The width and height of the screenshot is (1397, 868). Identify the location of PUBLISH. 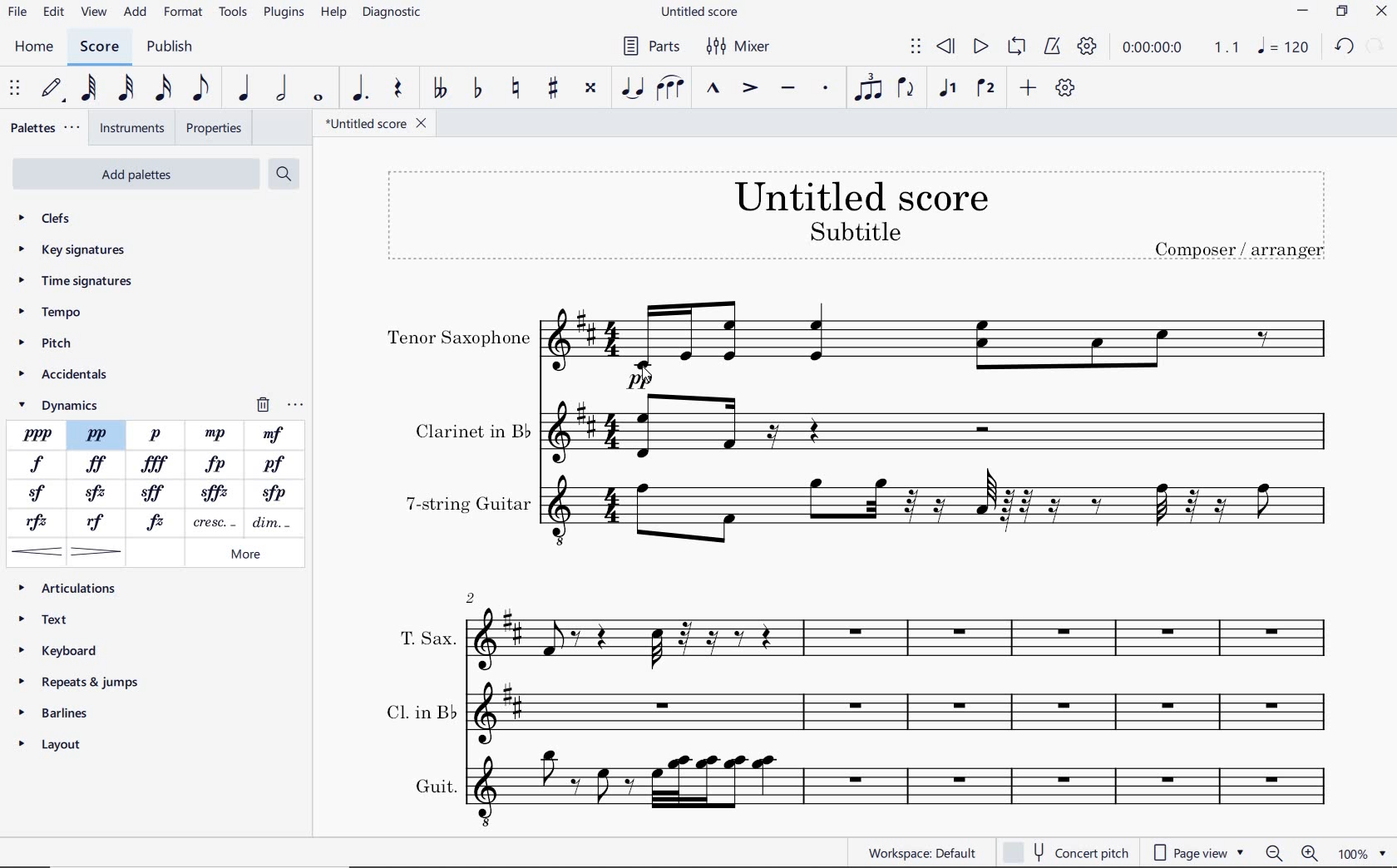
(170, 47).